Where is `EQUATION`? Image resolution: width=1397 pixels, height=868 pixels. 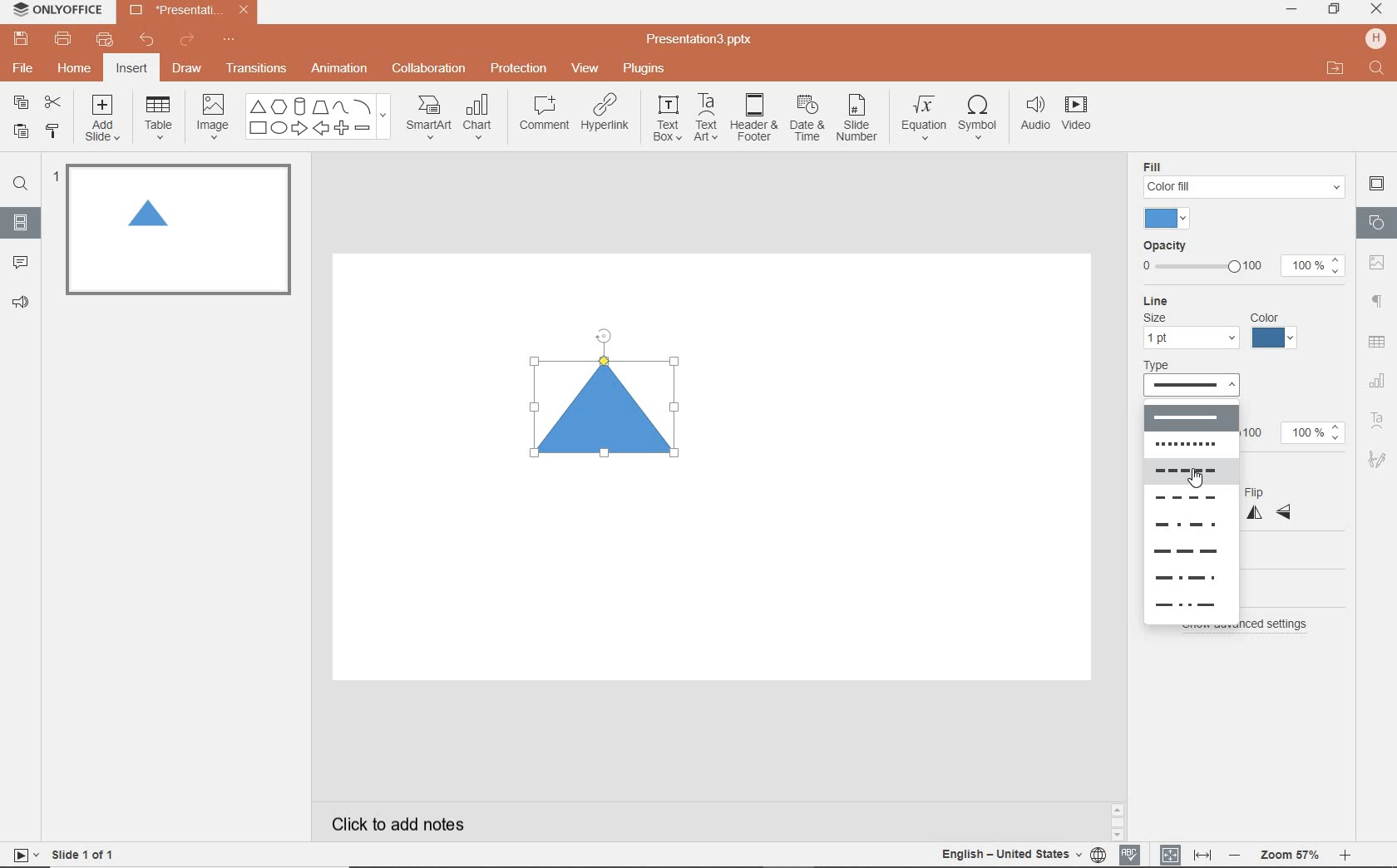
EQUATION is located at coordinates (925, 121).